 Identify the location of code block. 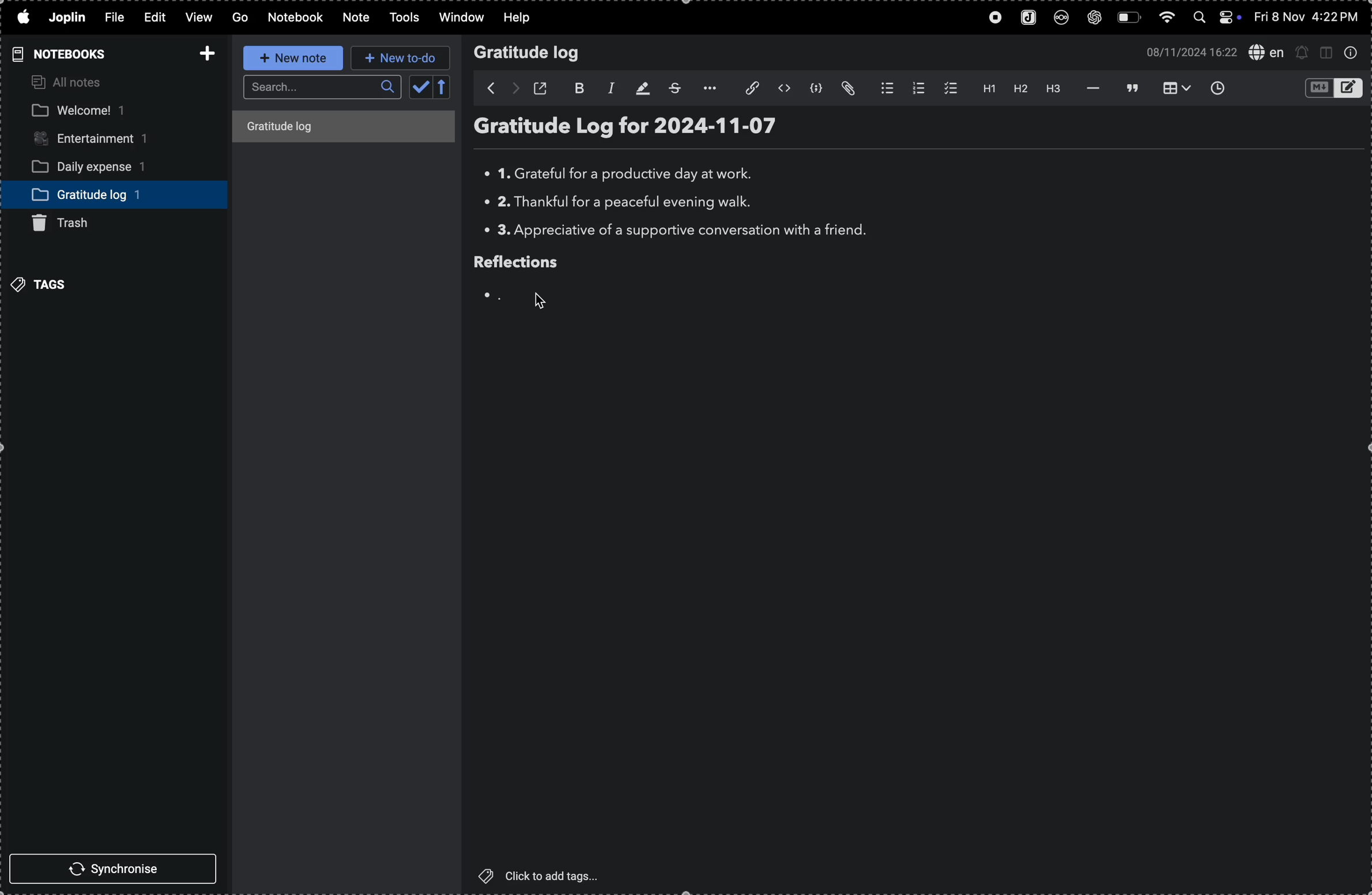
(817, 88).